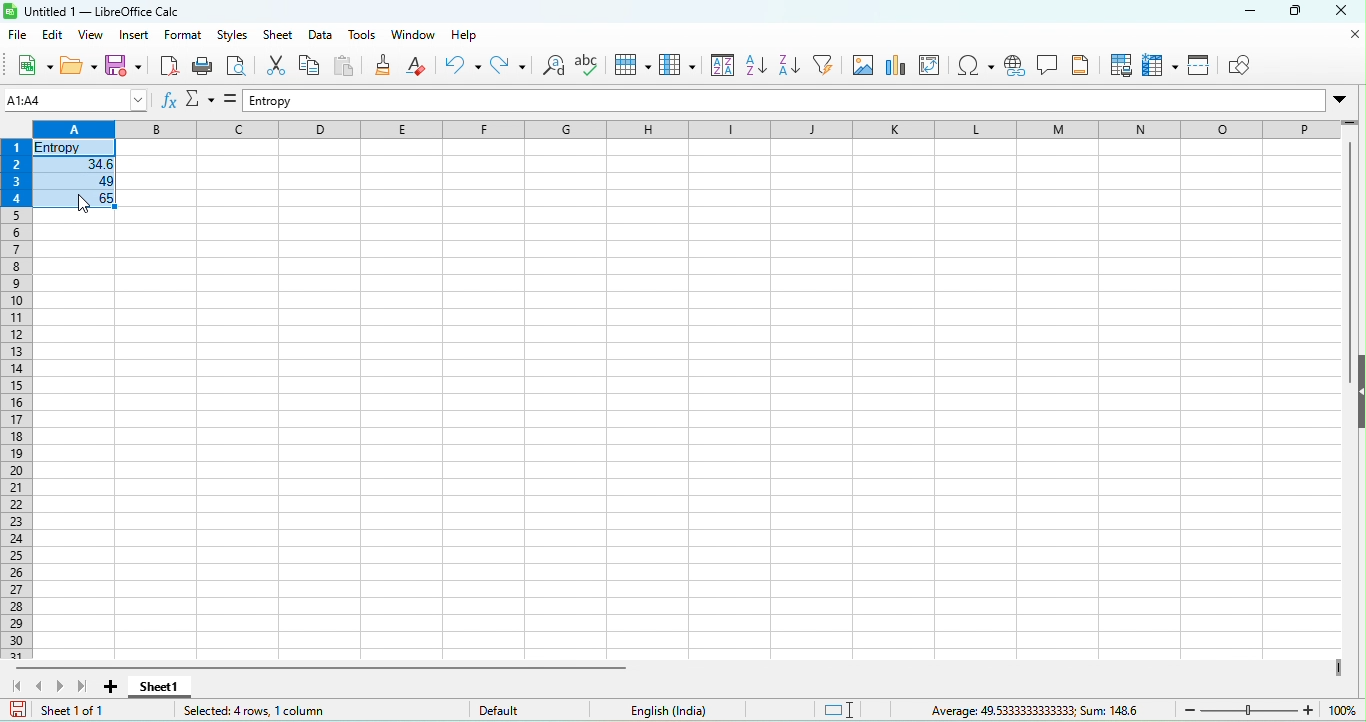  I want to click on chart, so click(900, 65).